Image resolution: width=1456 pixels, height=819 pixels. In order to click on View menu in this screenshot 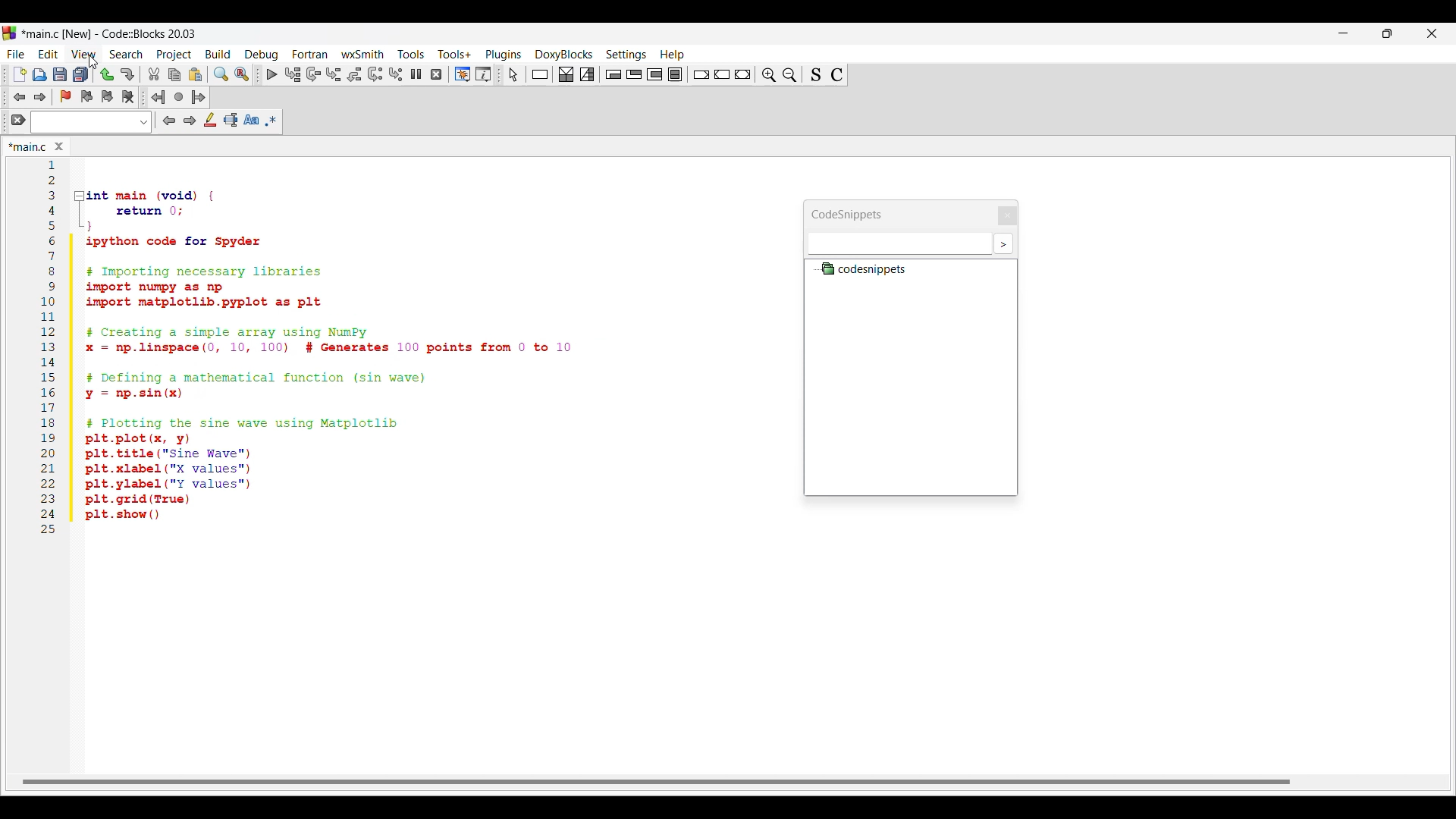, I will do `click(83, 55)`.